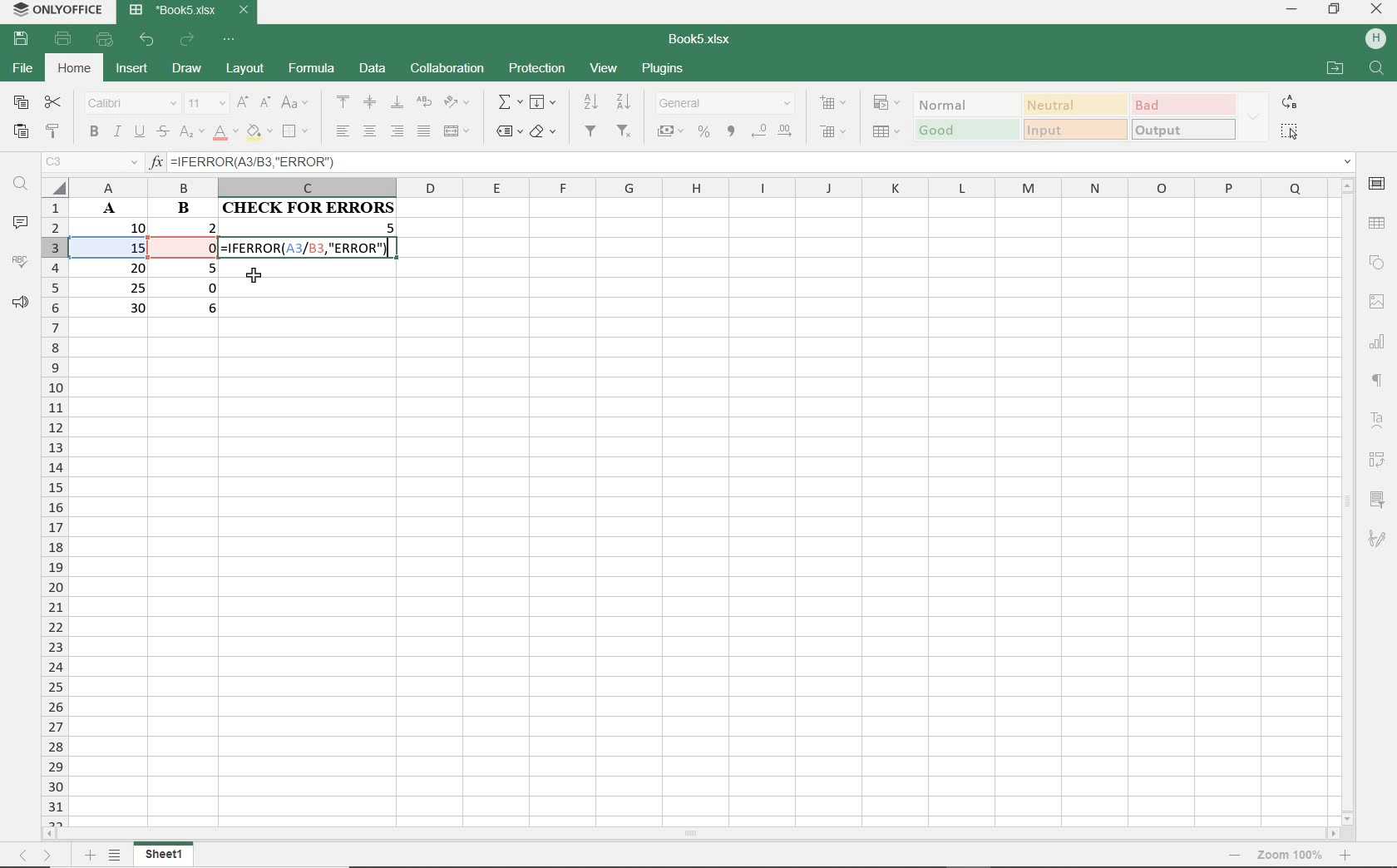 This screenshot has height=868, width=1397. I want to click on LAYOUT, so click(245, 72).